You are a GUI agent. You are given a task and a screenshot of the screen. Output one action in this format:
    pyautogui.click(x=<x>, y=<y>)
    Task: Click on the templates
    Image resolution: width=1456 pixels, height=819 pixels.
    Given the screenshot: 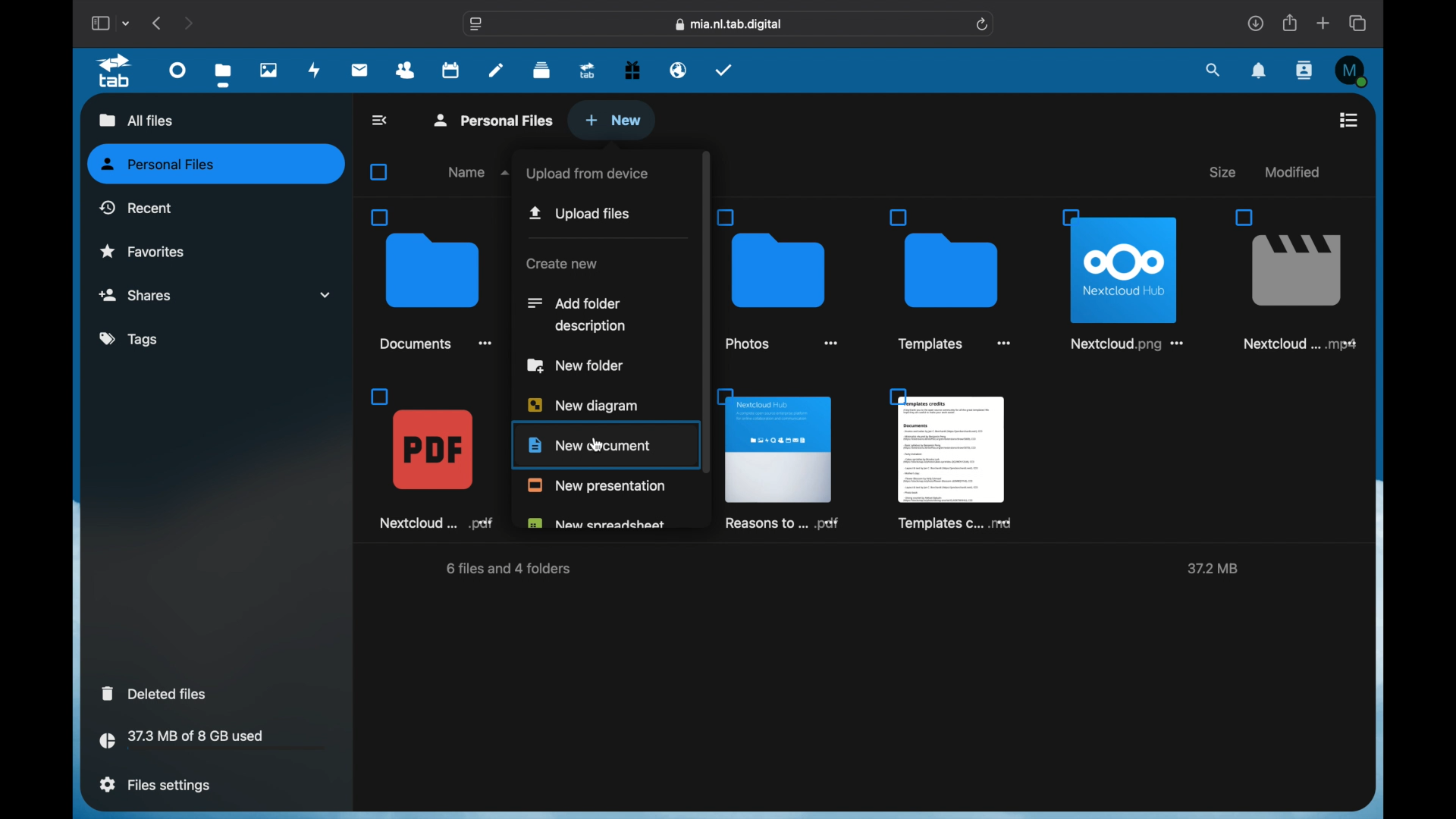 What is the action you would take?
    pyautogui.click(x=951, y=459)
    